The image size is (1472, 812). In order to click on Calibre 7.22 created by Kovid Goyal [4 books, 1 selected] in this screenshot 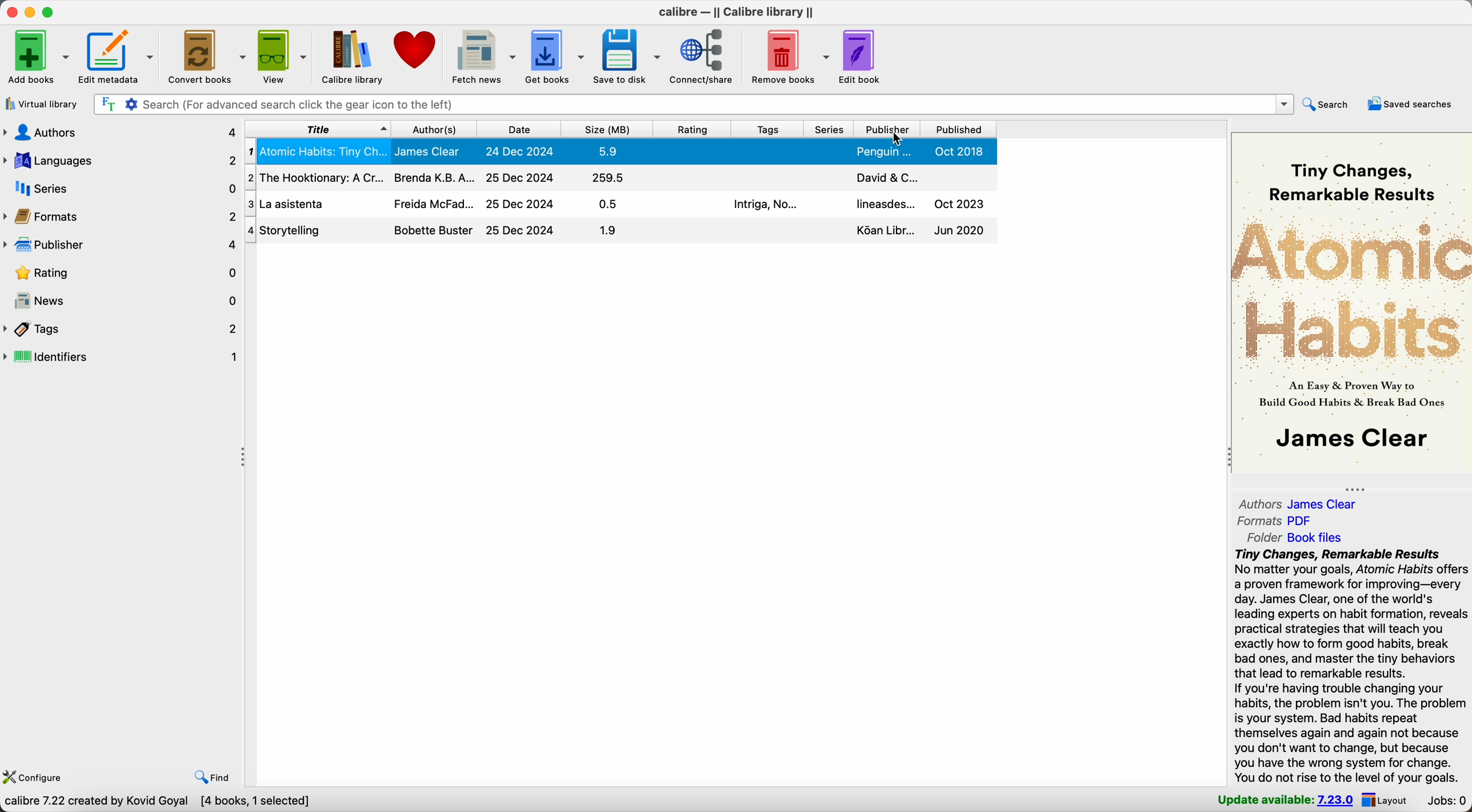, I will do `click(158, 802)`.